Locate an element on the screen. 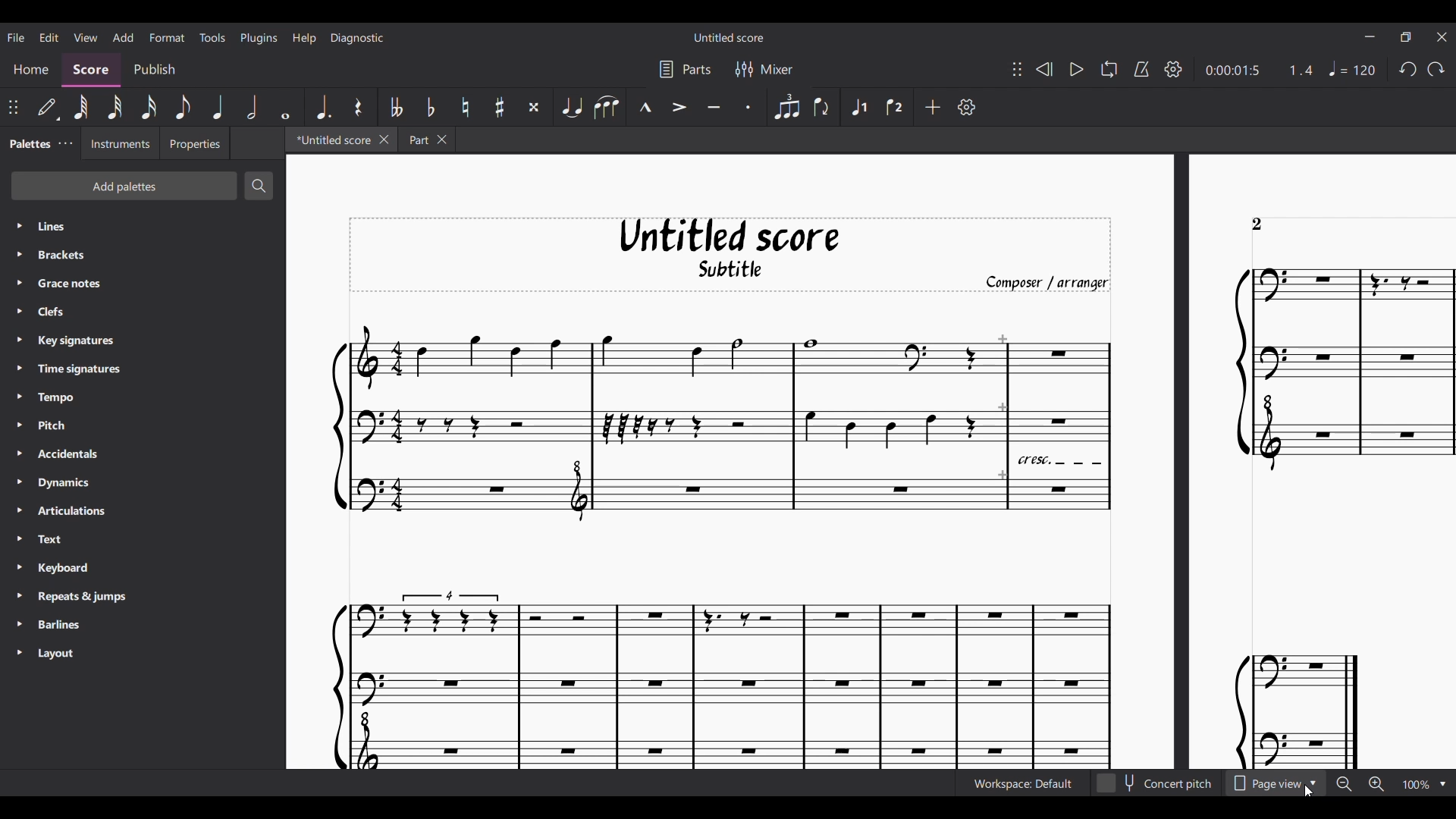 The height and width of the screenshot is (819, 1456). Minimize is located at coordinates (1369, 36).